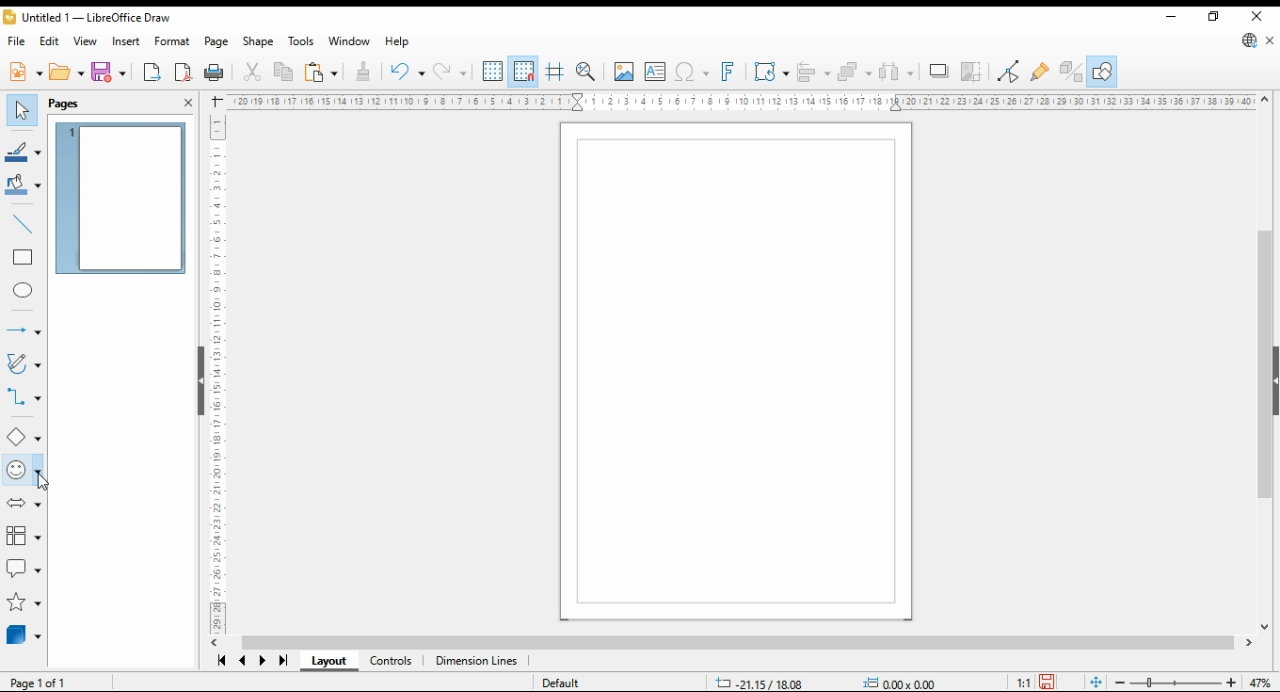 The width and height of the screenshot is (1280, 692). I want to click on toggle point edit mode, so click(1010, 73).